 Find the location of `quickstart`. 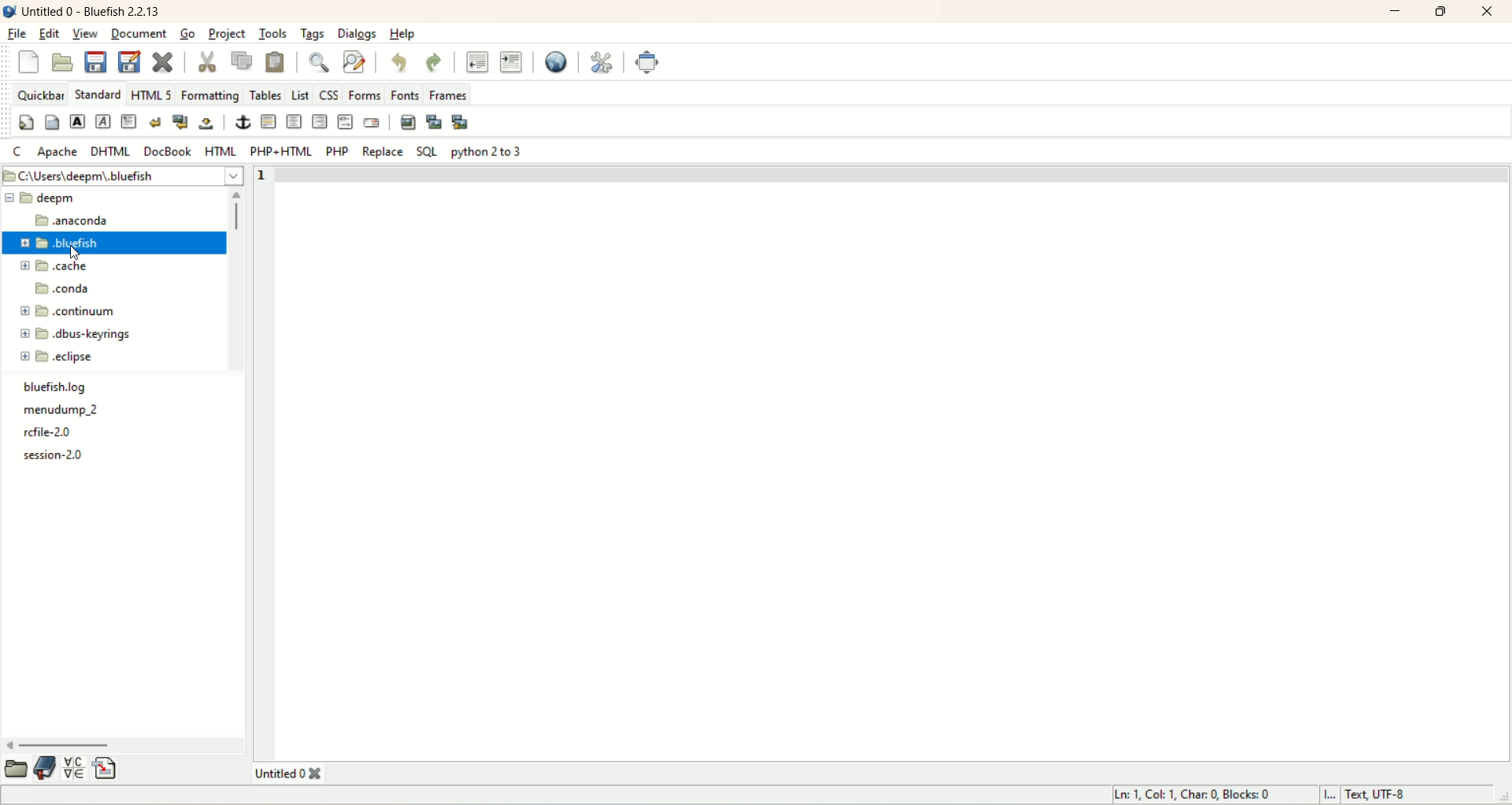

quickstart is located at coordinates (25, 121).